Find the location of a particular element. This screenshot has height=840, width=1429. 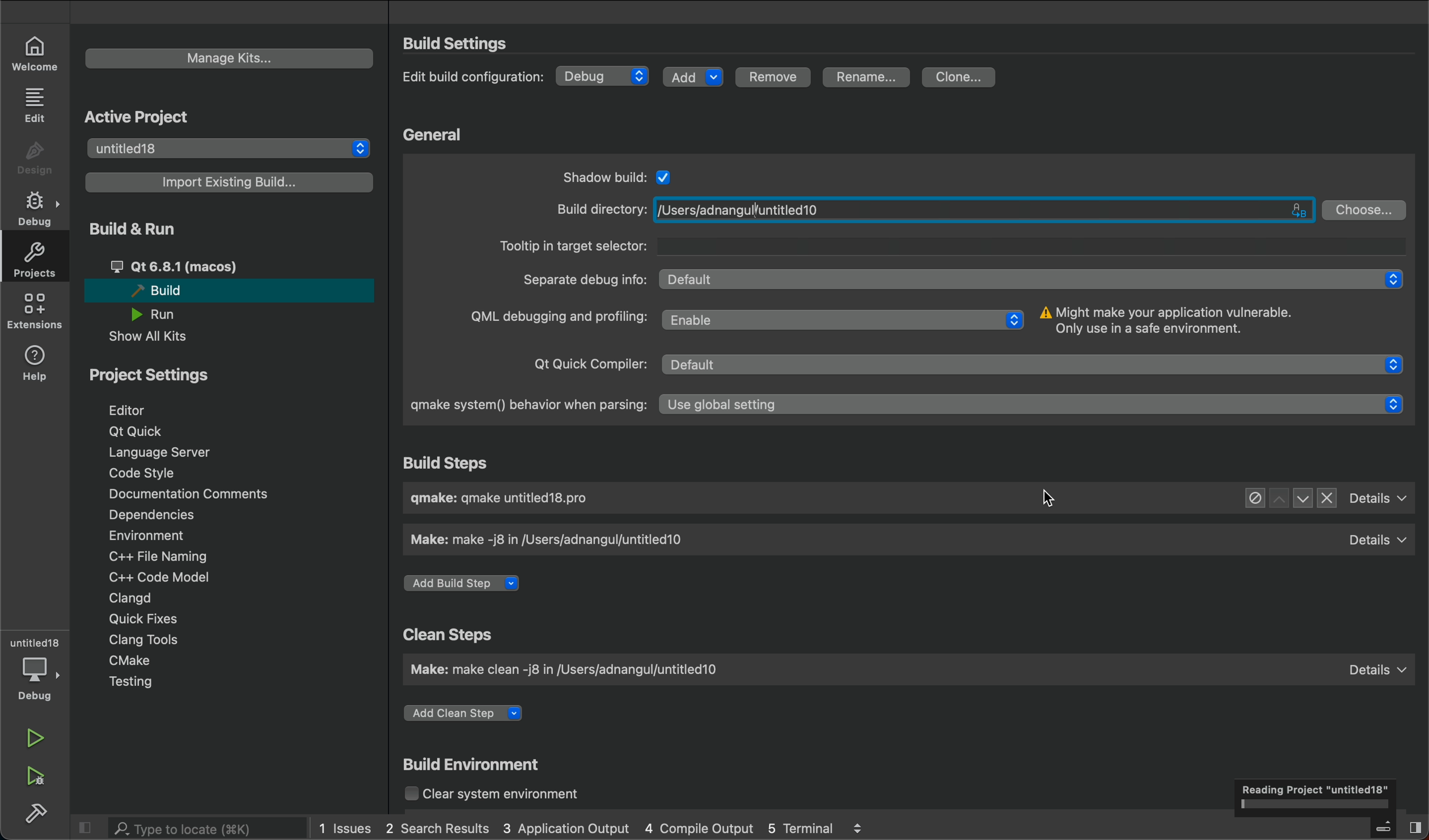

projects is located at coordinates (34, 263).